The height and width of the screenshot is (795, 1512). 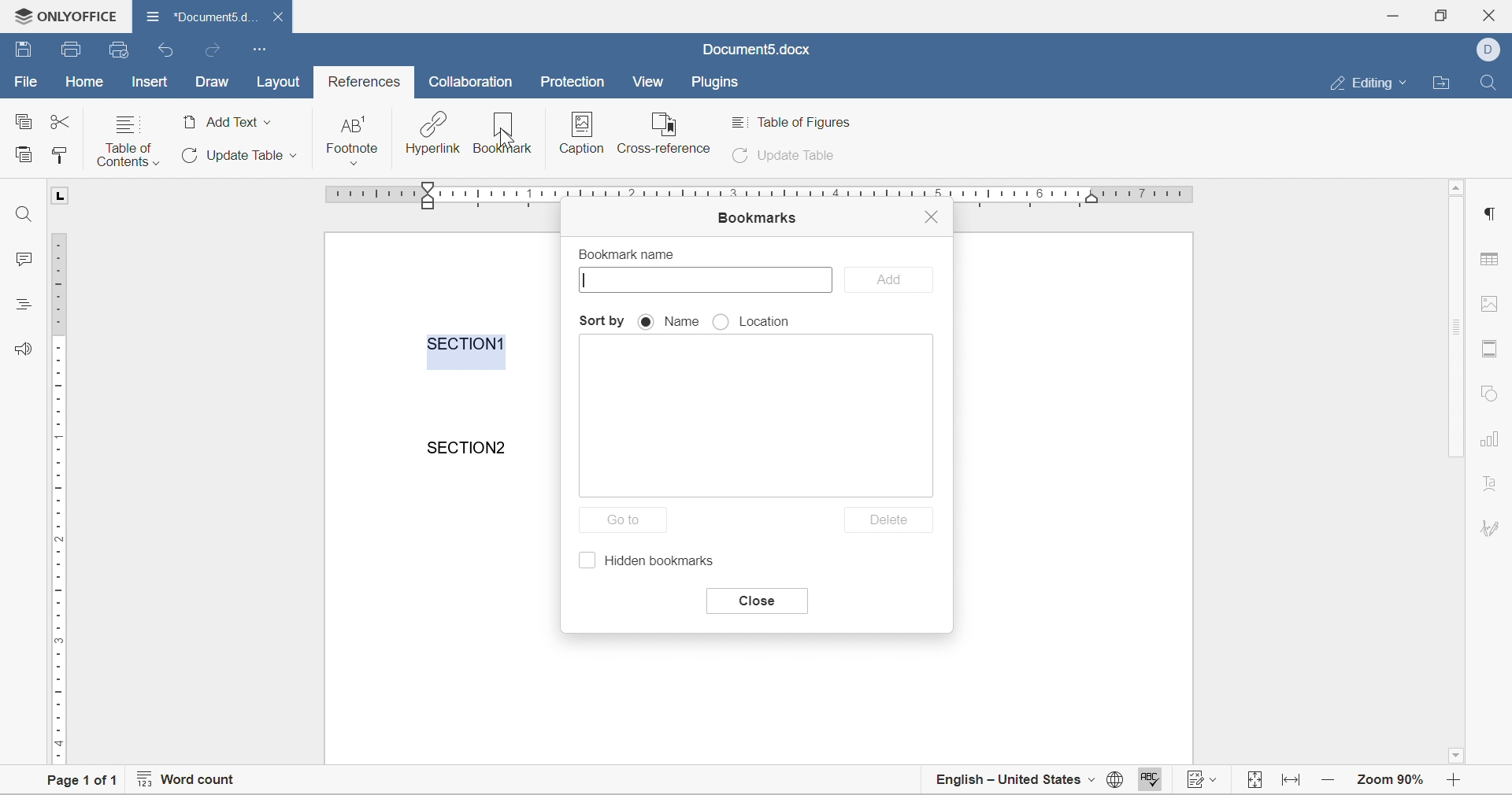 What do you see at coordinates (228, 122) in the screenshot?
I see `add text` at bounding box center [228, 122].